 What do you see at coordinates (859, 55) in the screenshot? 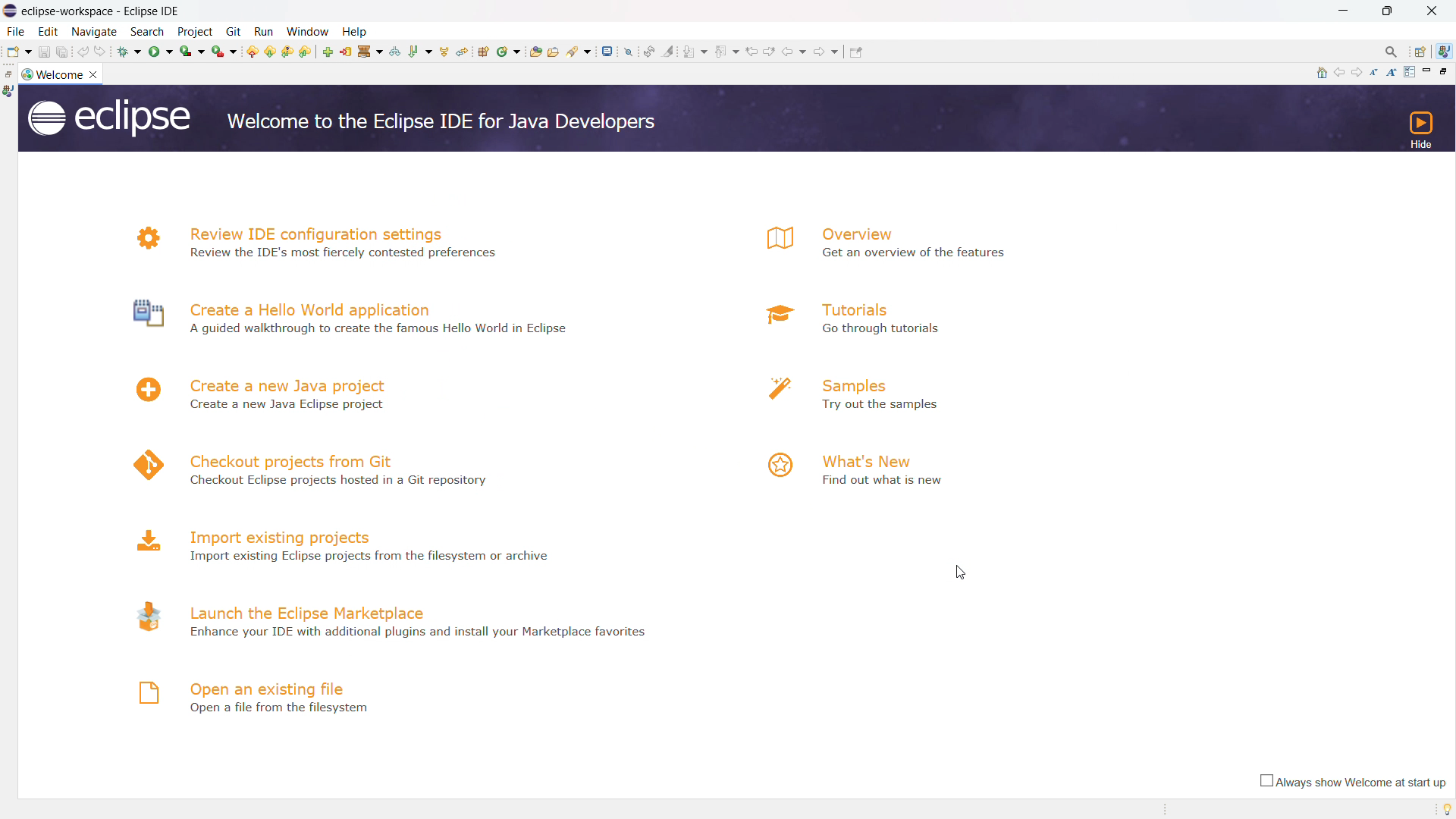
I see `pin editor` at bounding box center [859, 55].